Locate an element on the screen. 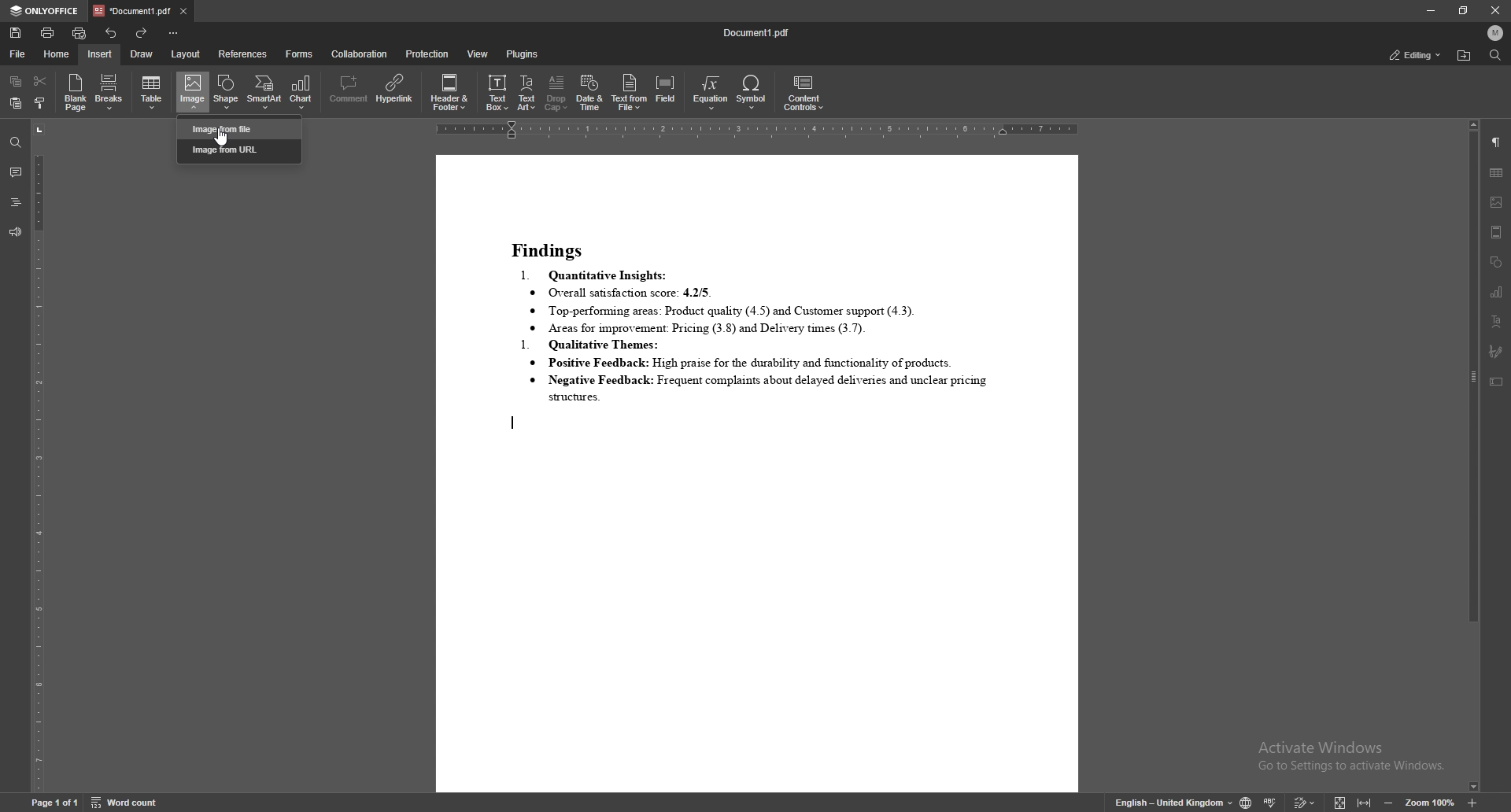 The image size is (1511, 812). image from url is located at coordinates (240, 151).